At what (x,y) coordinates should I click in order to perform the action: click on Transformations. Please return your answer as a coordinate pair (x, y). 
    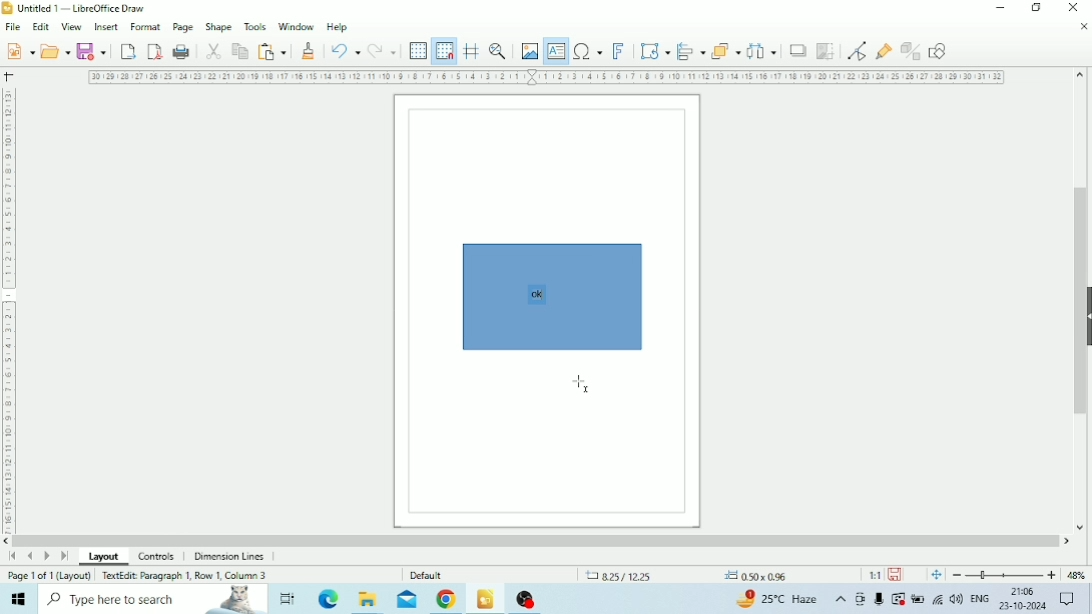
    Looking at the image, I should click on (655, 51).